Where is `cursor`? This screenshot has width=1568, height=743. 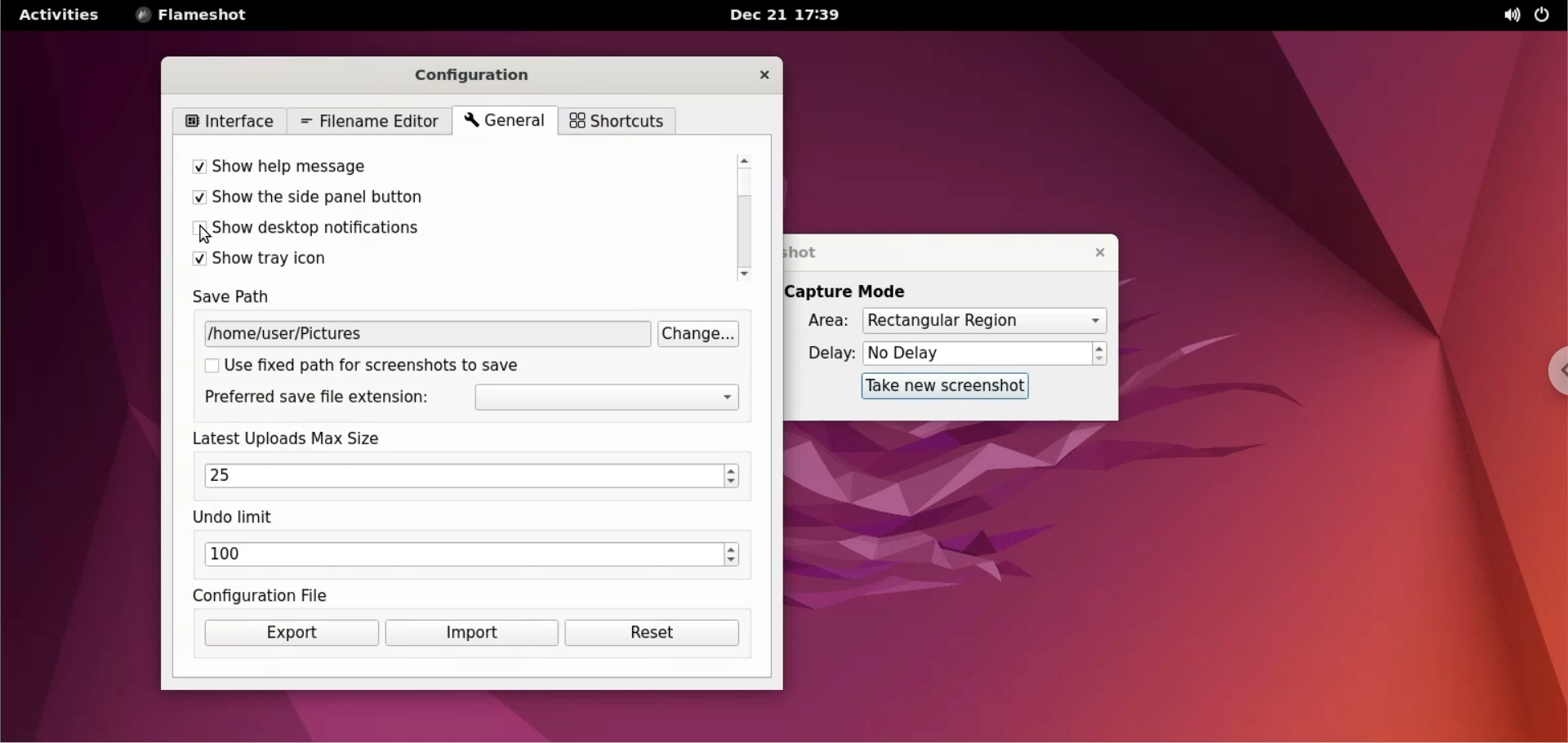 cursor is located at coordinates (208, 232).